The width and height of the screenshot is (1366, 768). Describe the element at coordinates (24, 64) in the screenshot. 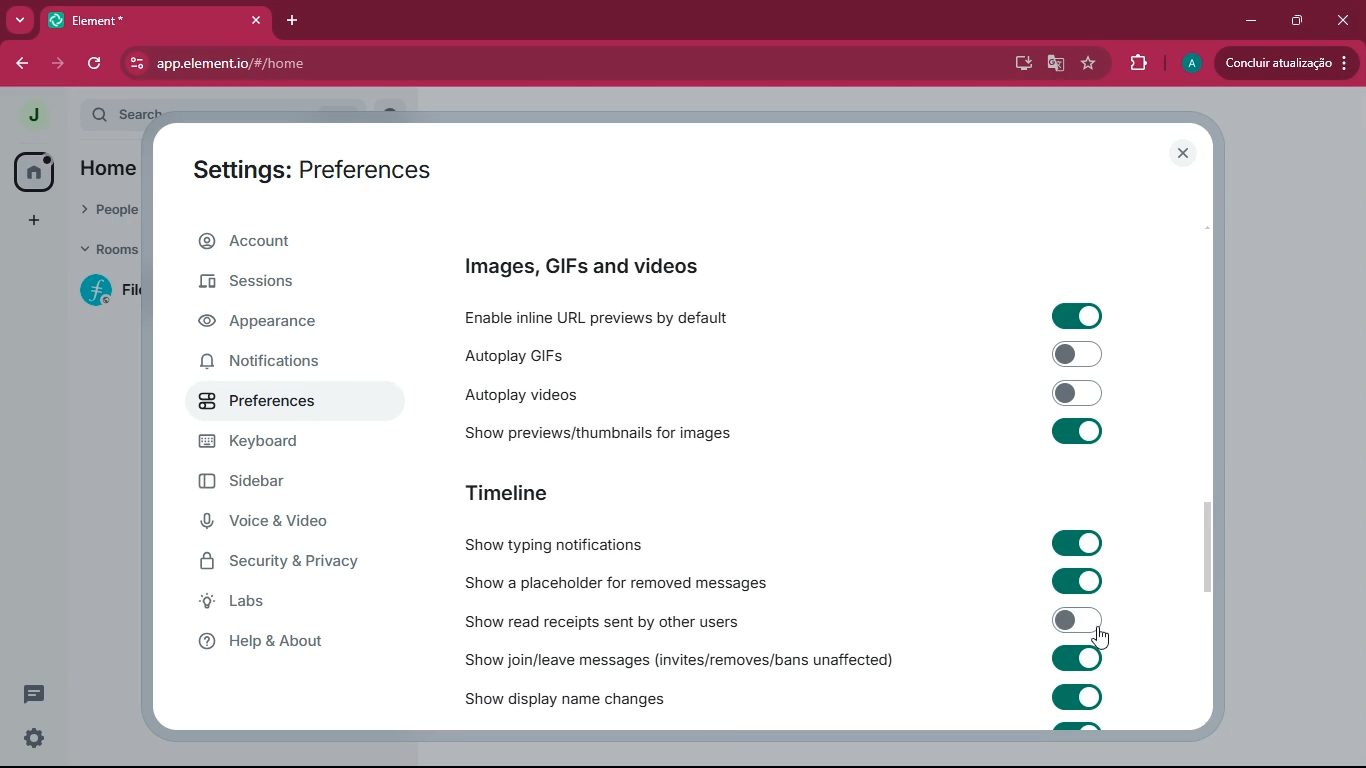

I see `back` at that location.